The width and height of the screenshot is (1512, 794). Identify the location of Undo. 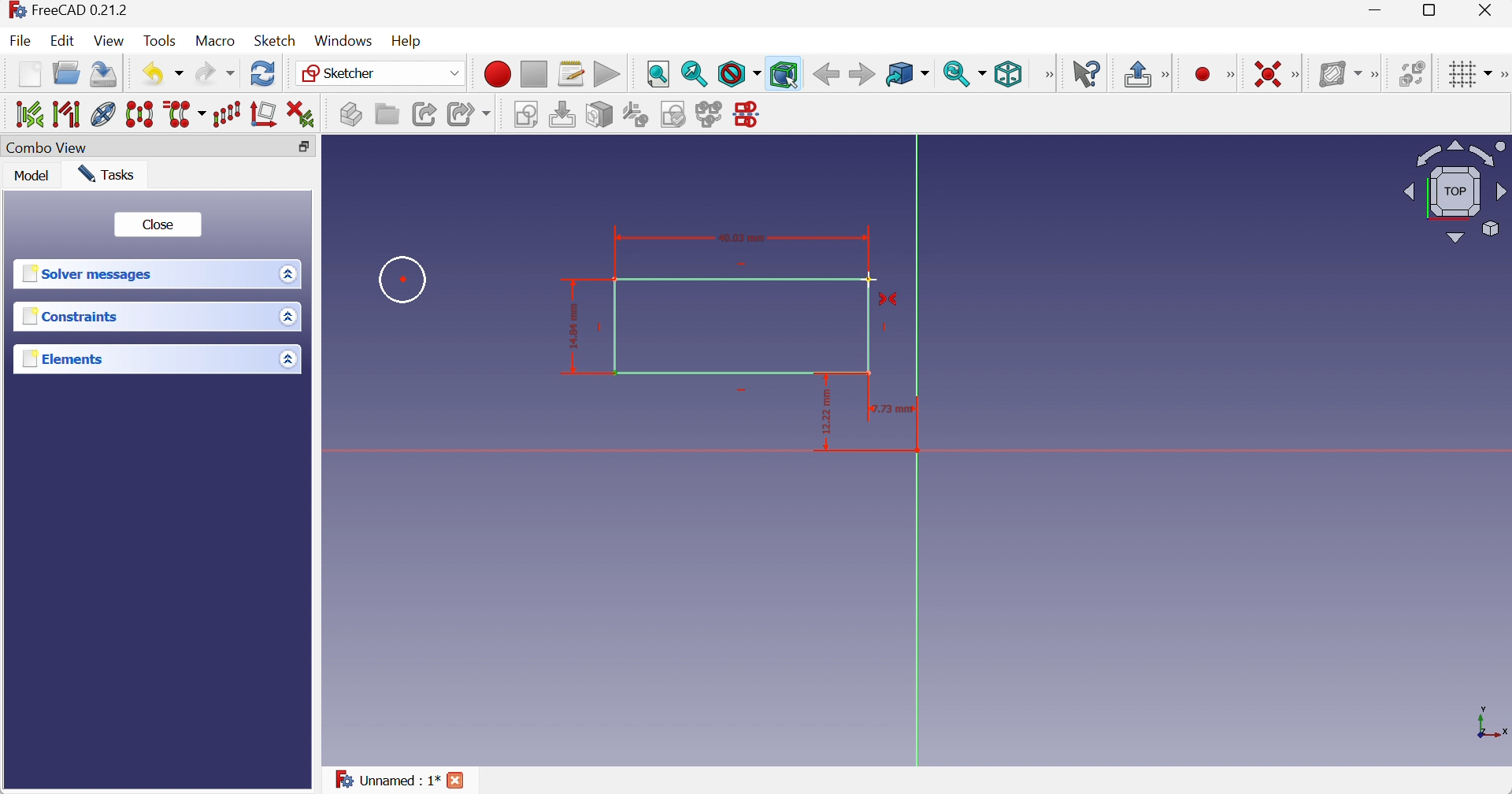
(165, 75).